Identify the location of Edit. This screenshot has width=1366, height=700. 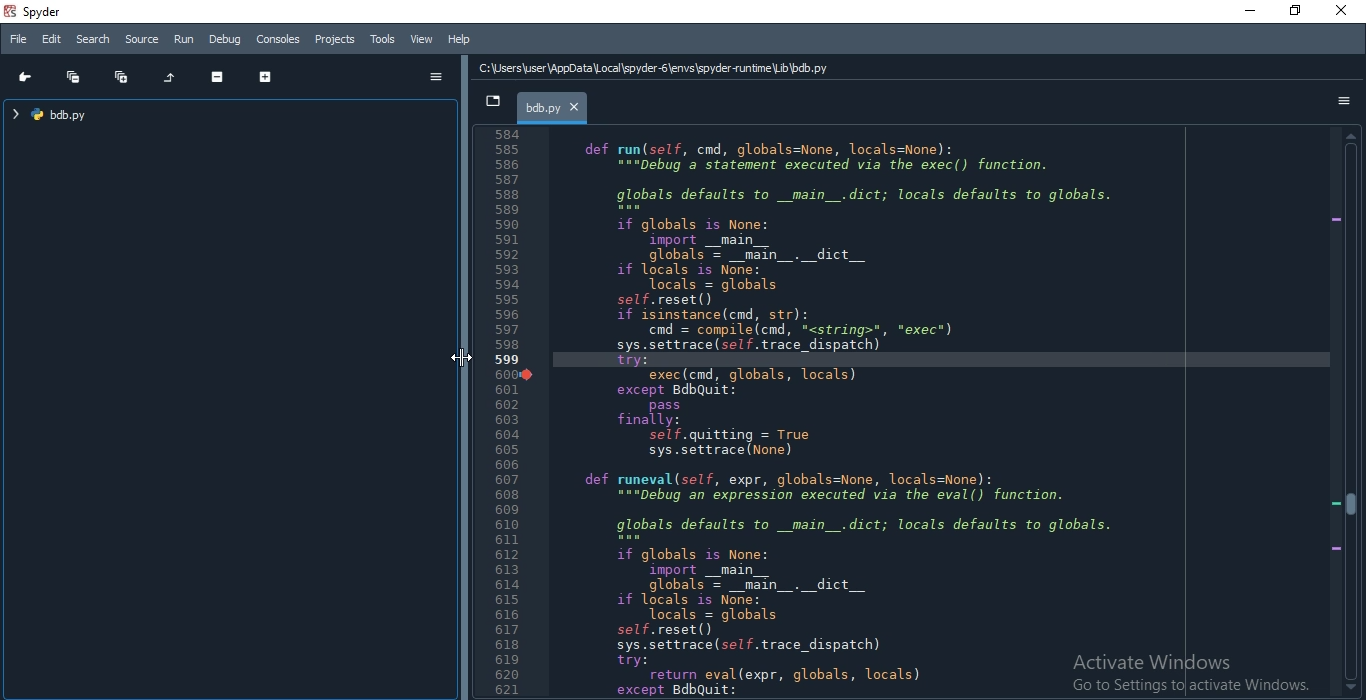
(53, 40).